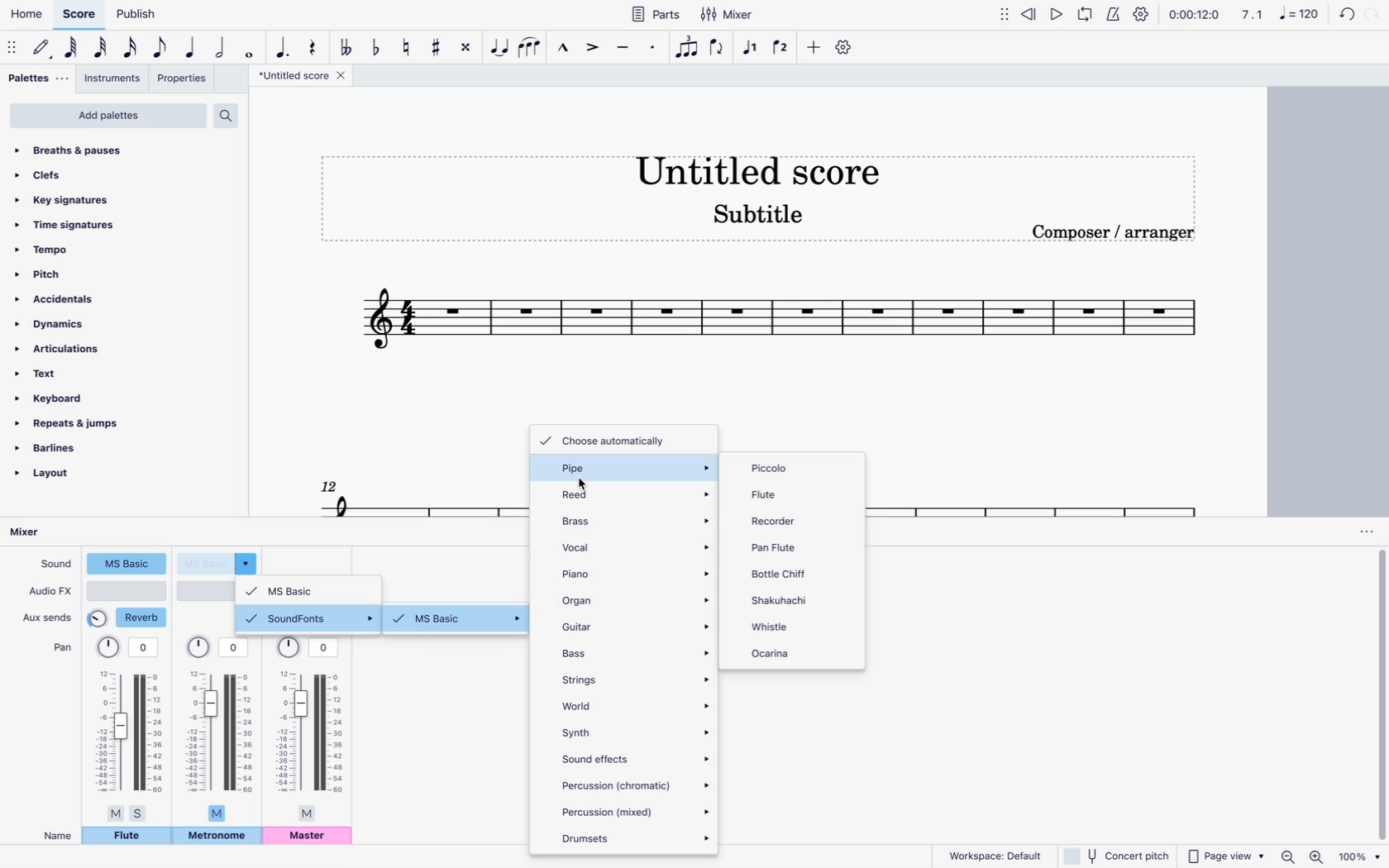 Image resolution: width=1389 pixels, height=868 pixels. I want to click on reverb, so click(129, 618).